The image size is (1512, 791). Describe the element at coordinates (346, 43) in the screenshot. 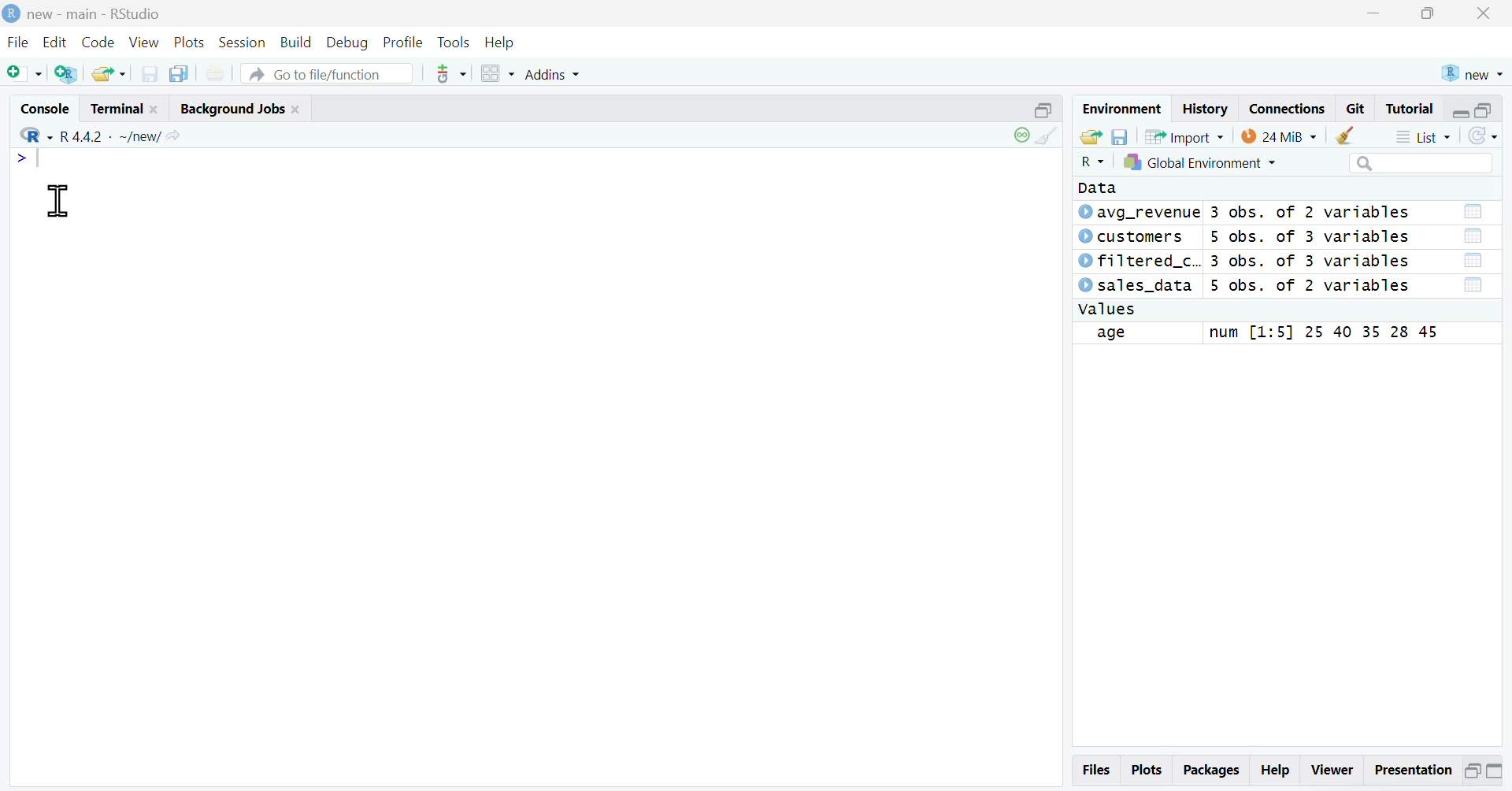

I see `Debug` at that location.